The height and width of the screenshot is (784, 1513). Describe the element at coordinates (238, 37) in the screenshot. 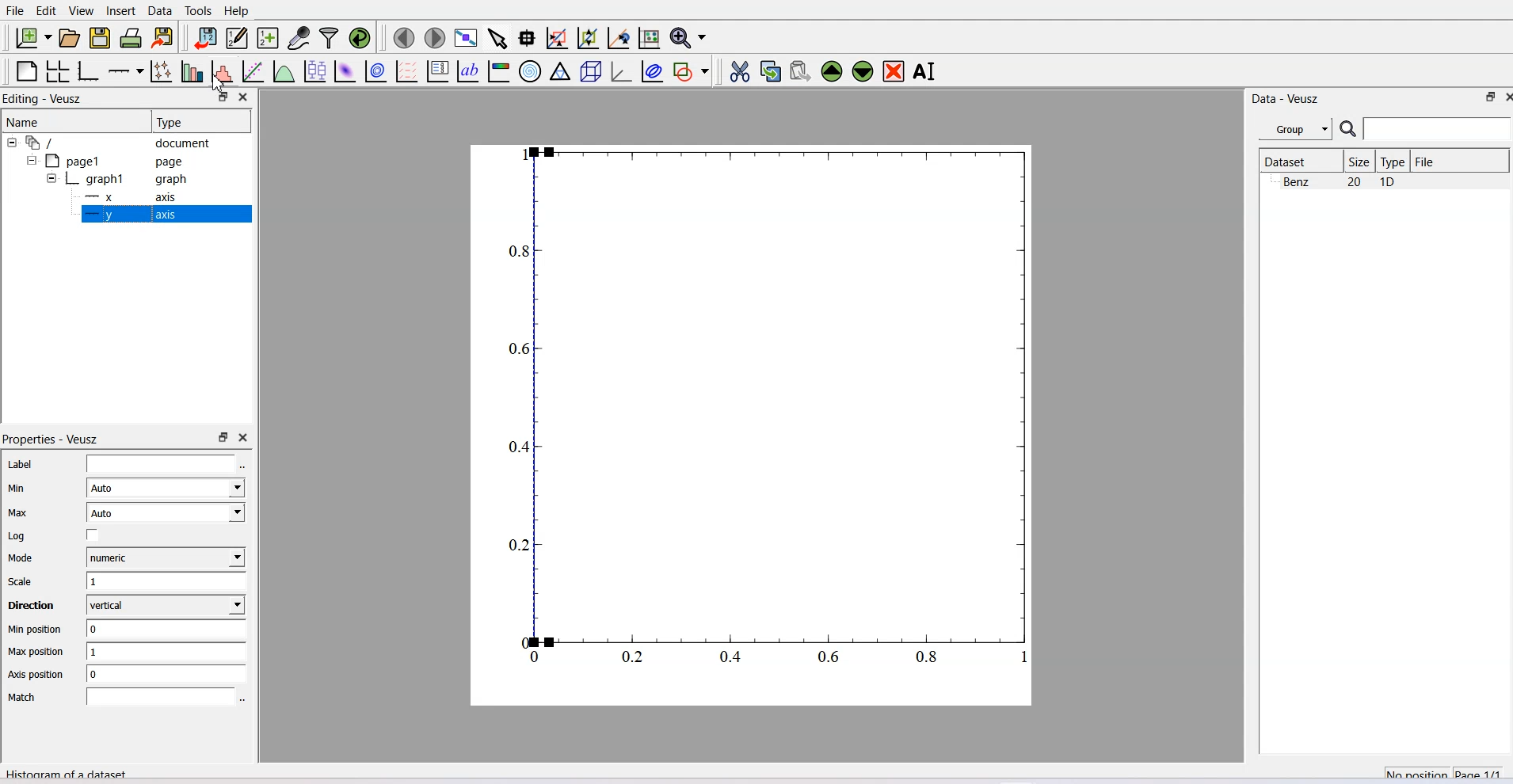

I see `Editor` at that location.